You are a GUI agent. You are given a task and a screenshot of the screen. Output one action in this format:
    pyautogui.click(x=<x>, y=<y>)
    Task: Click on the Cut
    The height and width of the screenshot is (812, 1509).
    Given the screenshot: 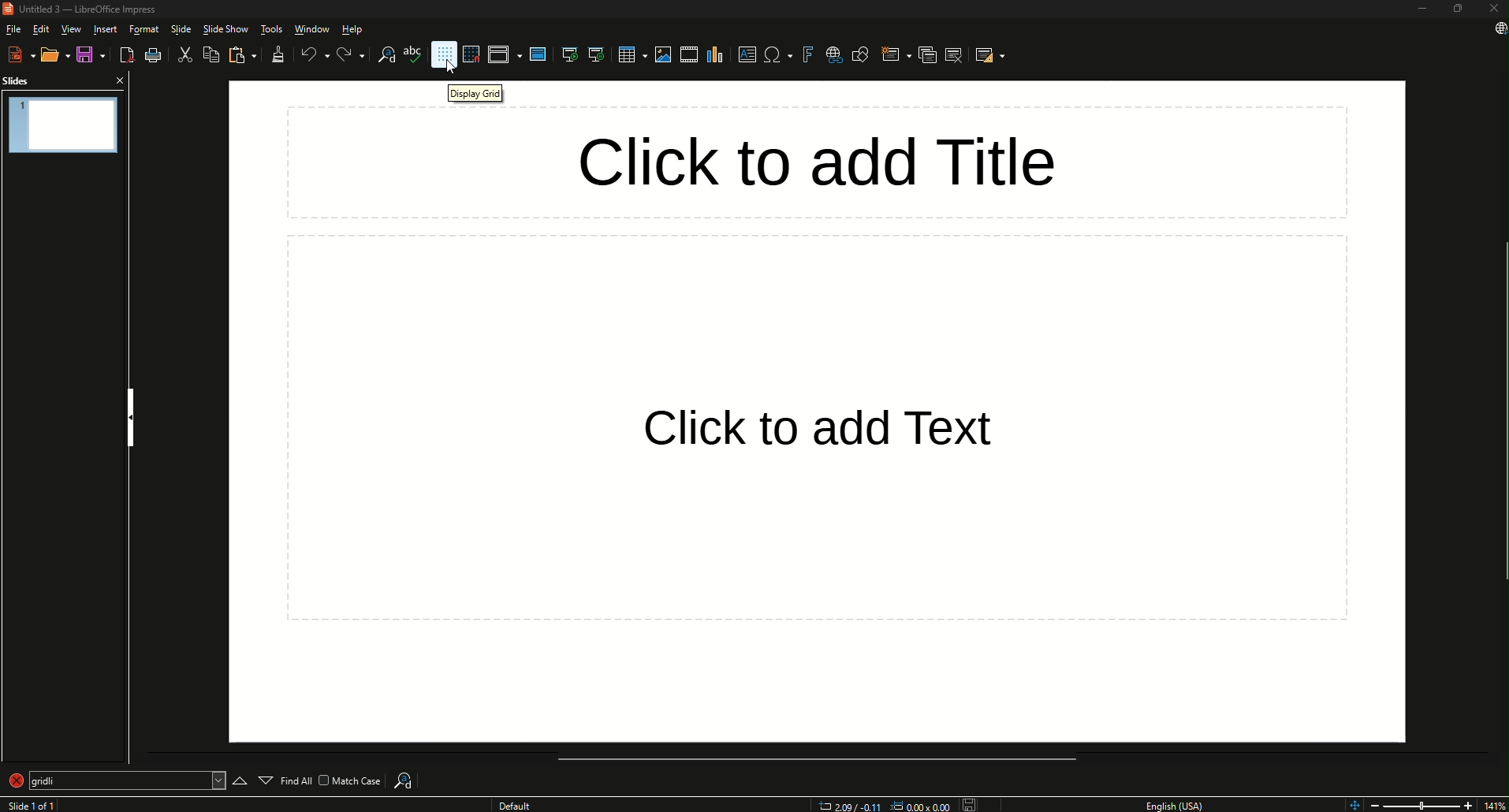 What is the action you would take?
    pyautogui.click(x=184, y=55)
    